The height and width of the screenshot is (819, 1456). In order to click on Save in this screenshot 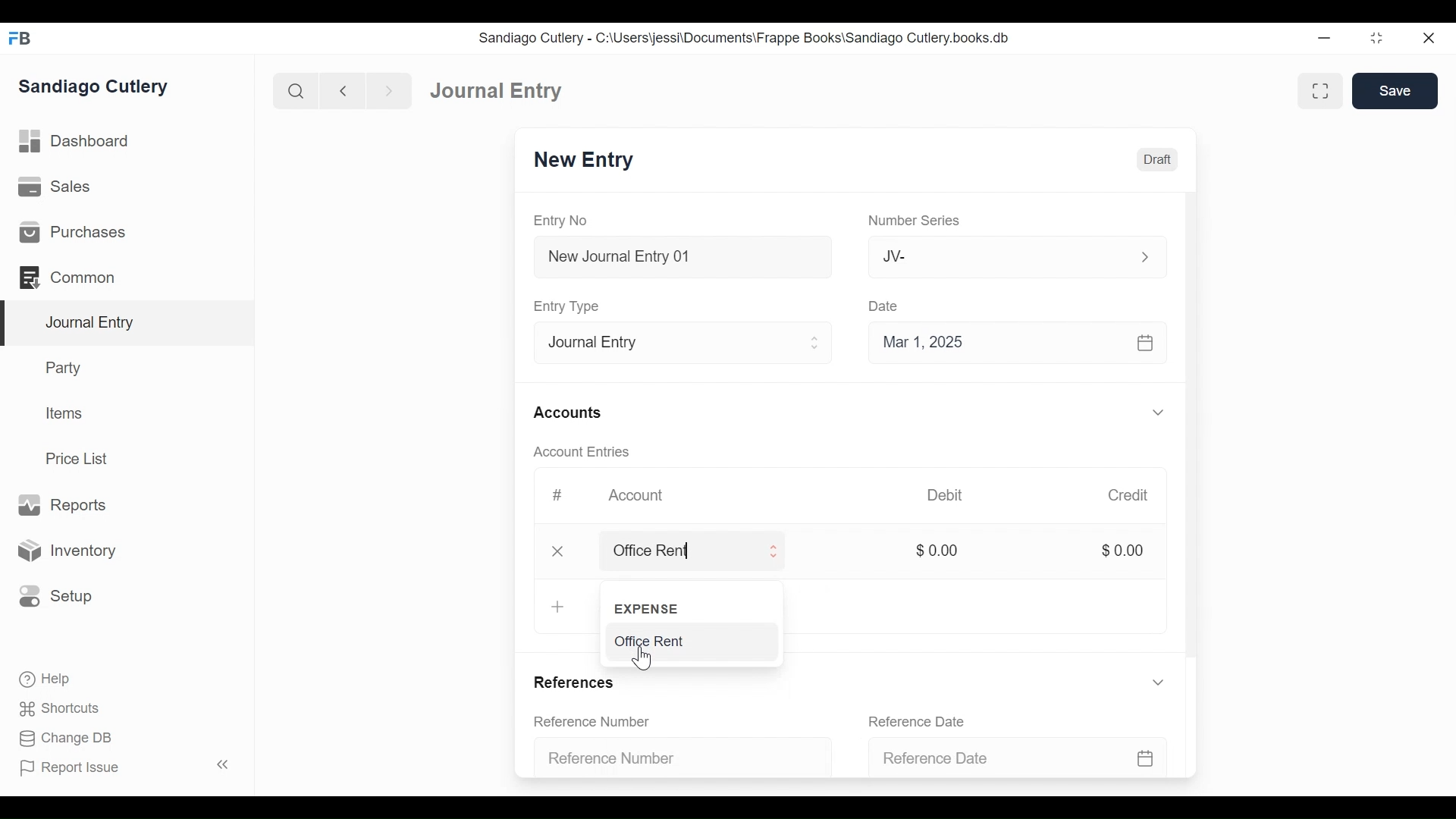, I will do `click(1395, 90)`.